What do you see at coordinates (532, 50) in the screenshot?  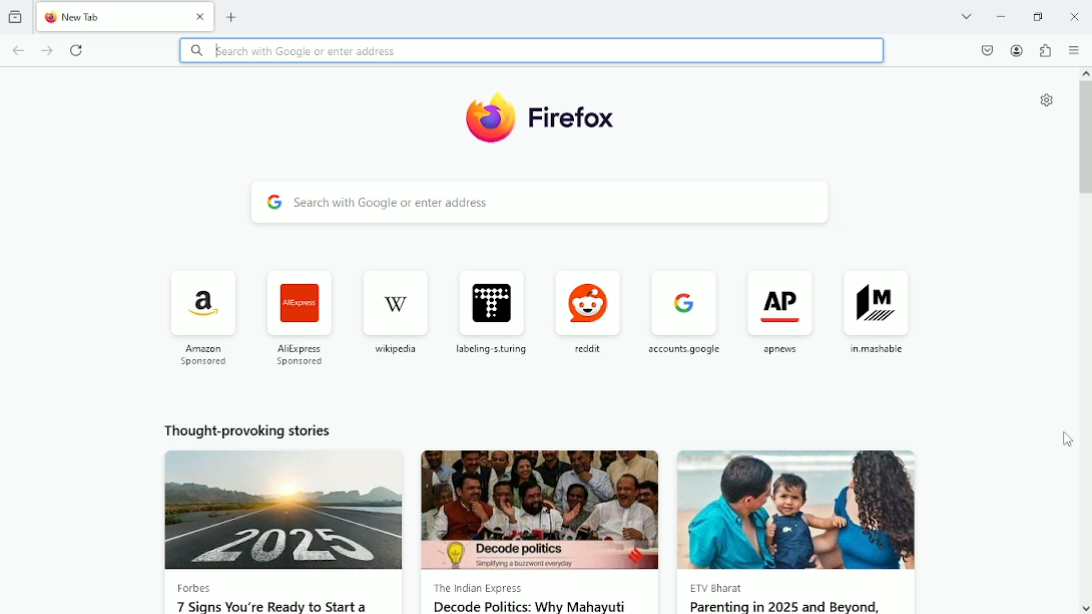 I see `Search with google or enter address` at bounding box center [532, 50].